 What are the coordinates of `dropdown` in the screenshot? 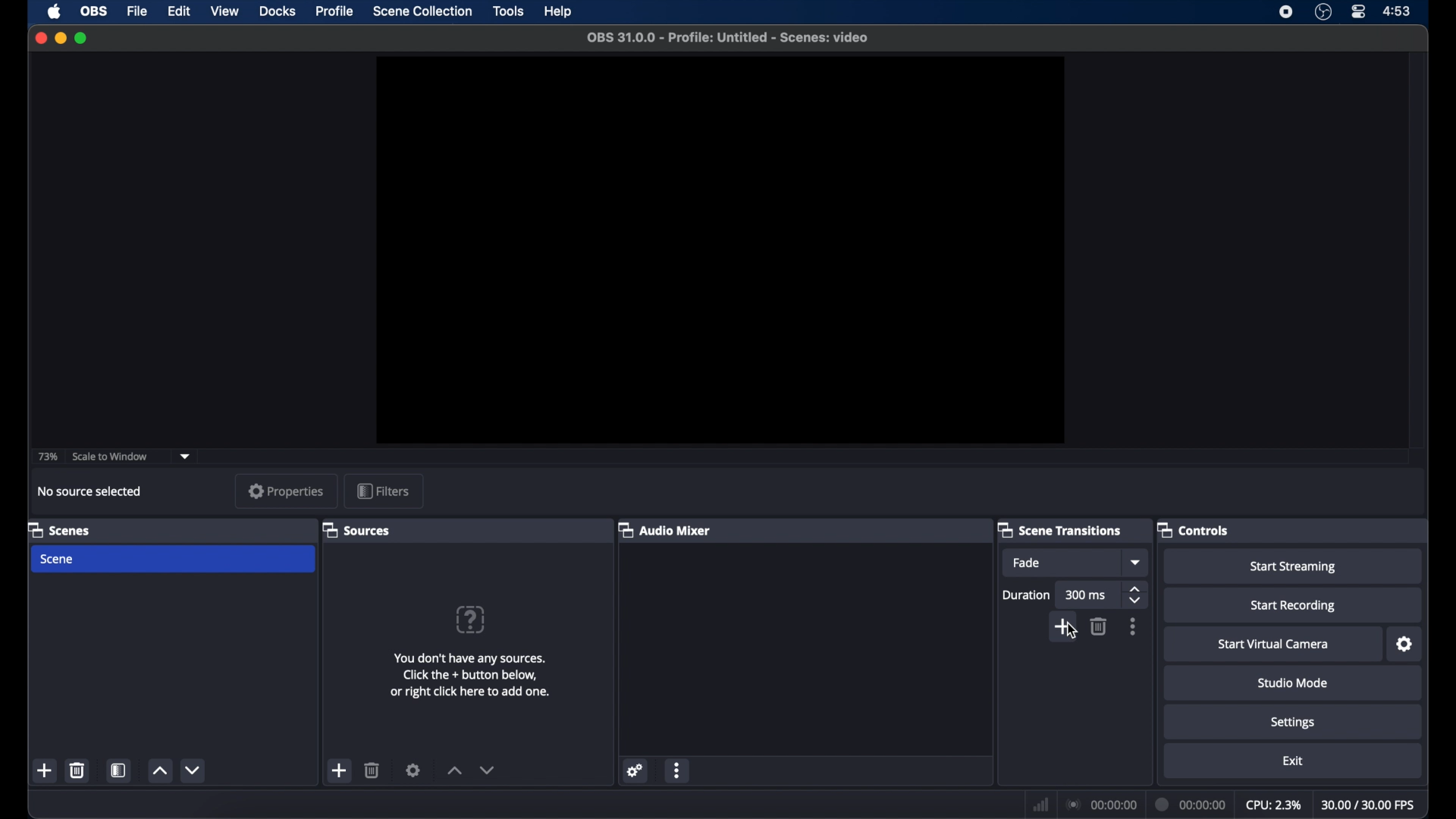 It's located at (1137, 562).